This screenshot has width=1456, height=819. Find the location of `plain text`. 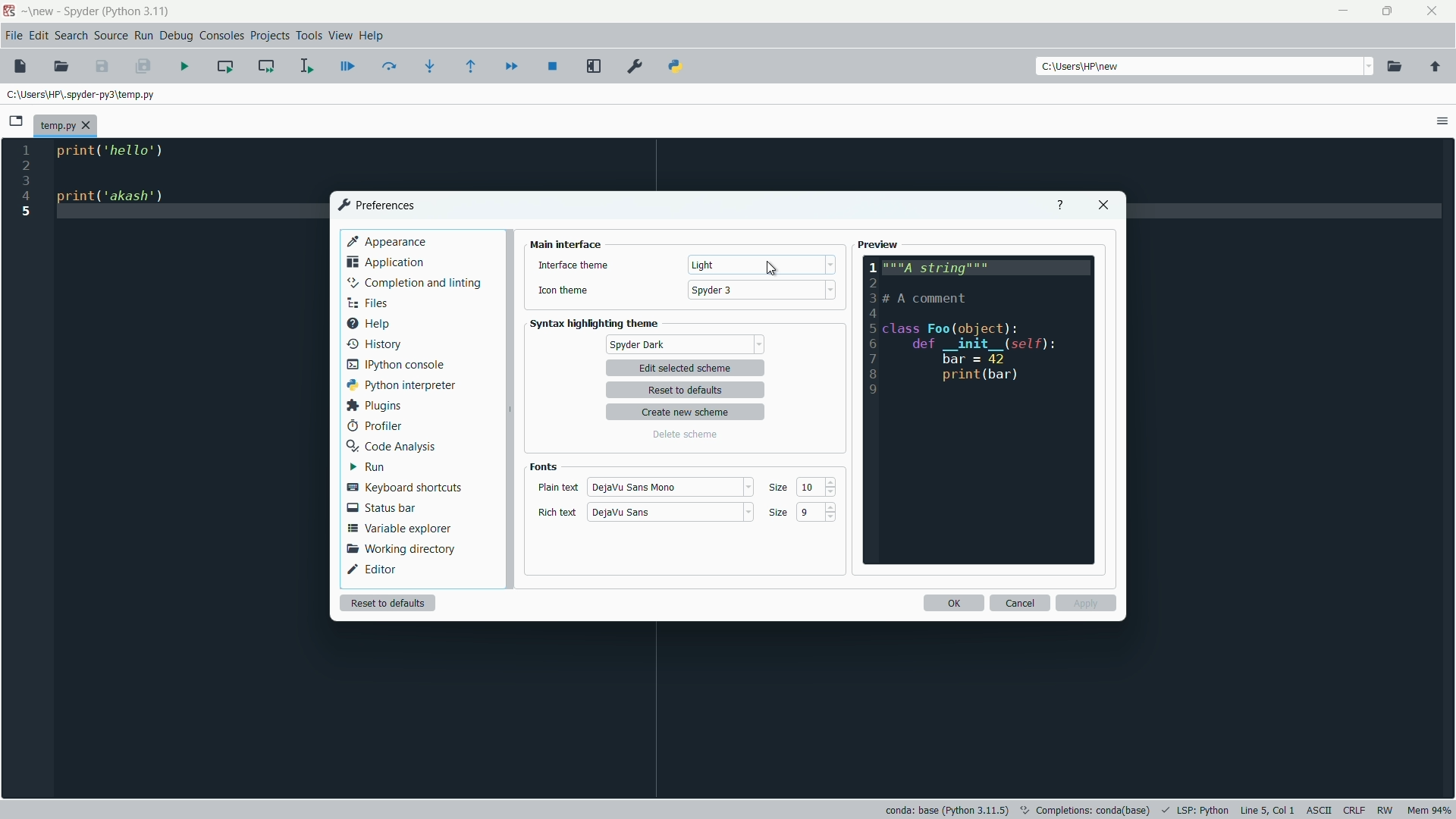

plain text is located at coordinates (557, 488).